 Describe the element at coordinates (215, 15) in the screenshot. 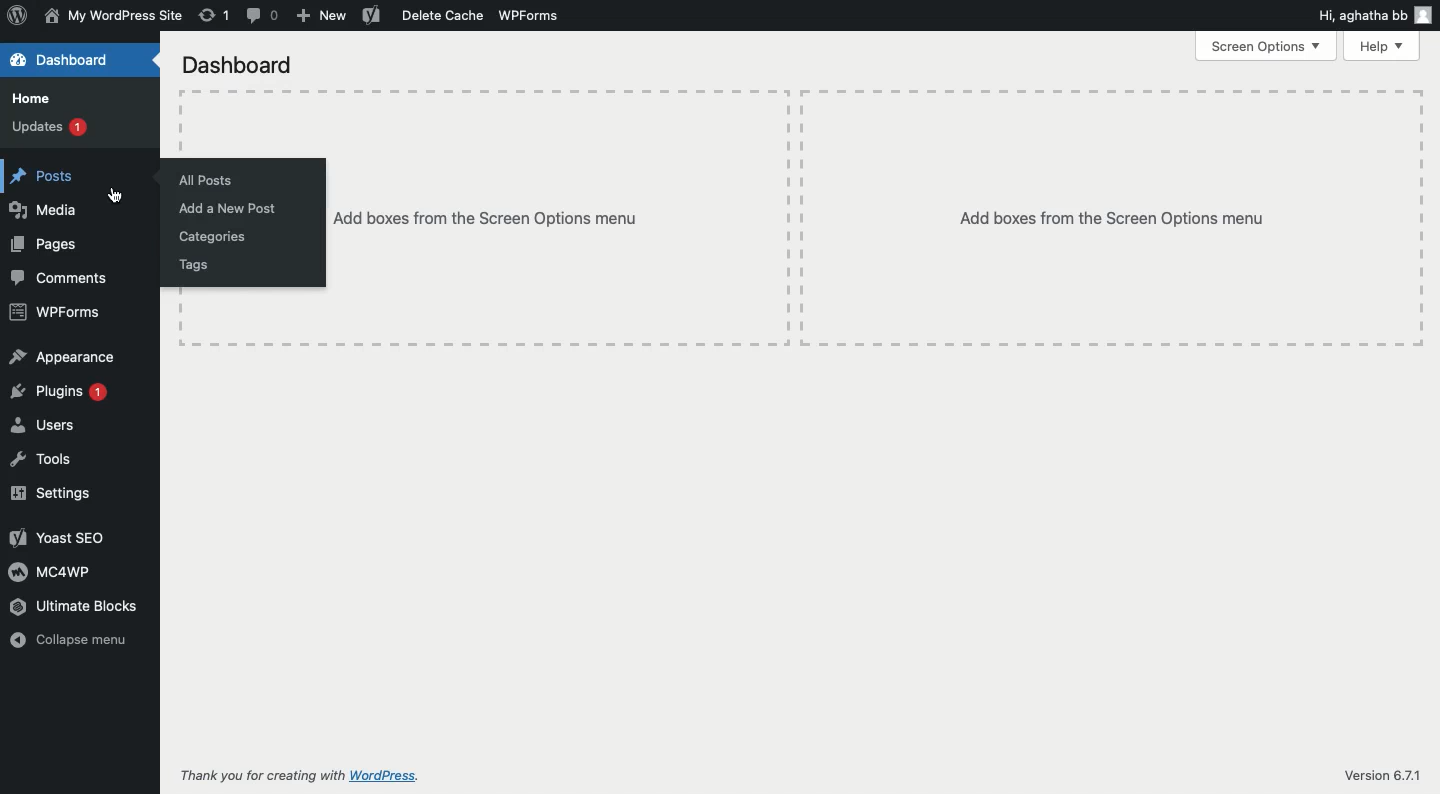

I see `Revision` at that location.